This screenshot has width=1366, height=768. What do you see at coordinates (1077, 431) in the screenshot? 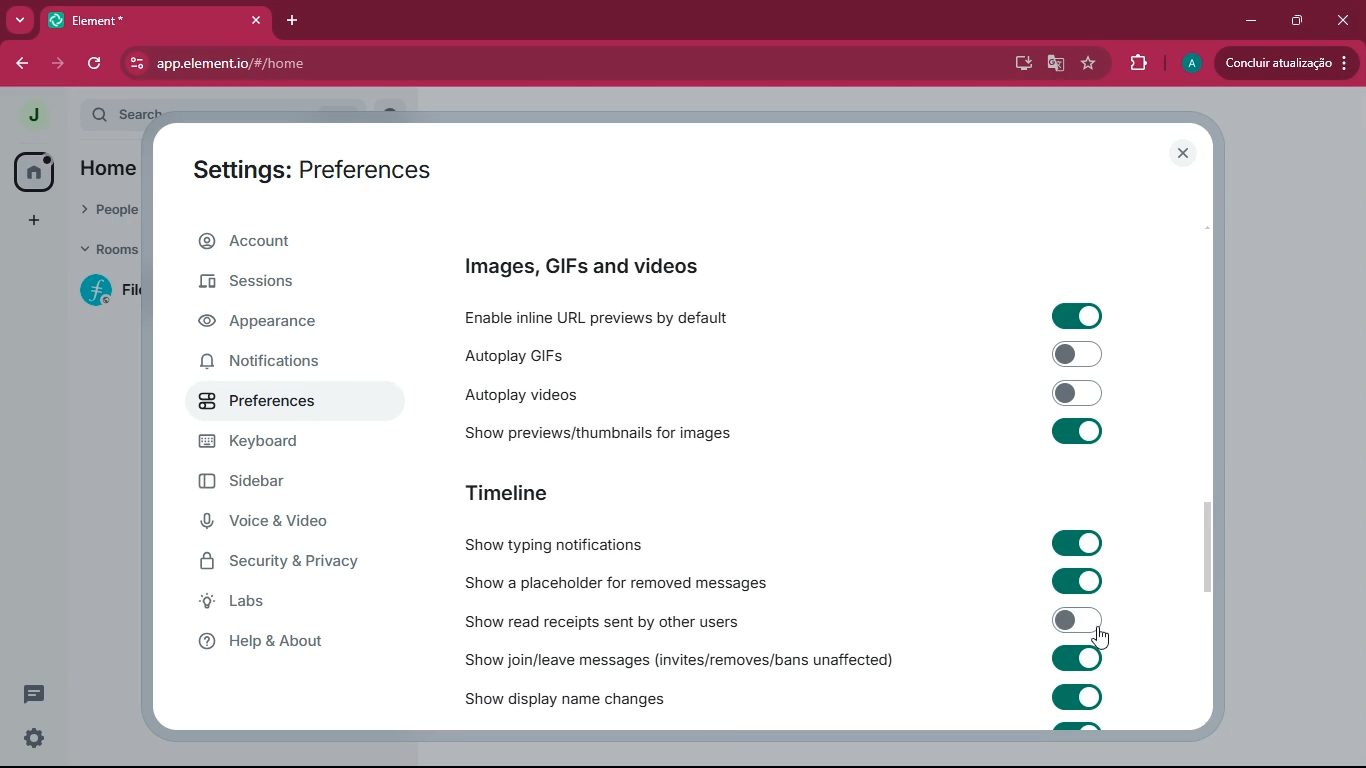
I see `toggle on/off` at bounding box center [1077, 431].